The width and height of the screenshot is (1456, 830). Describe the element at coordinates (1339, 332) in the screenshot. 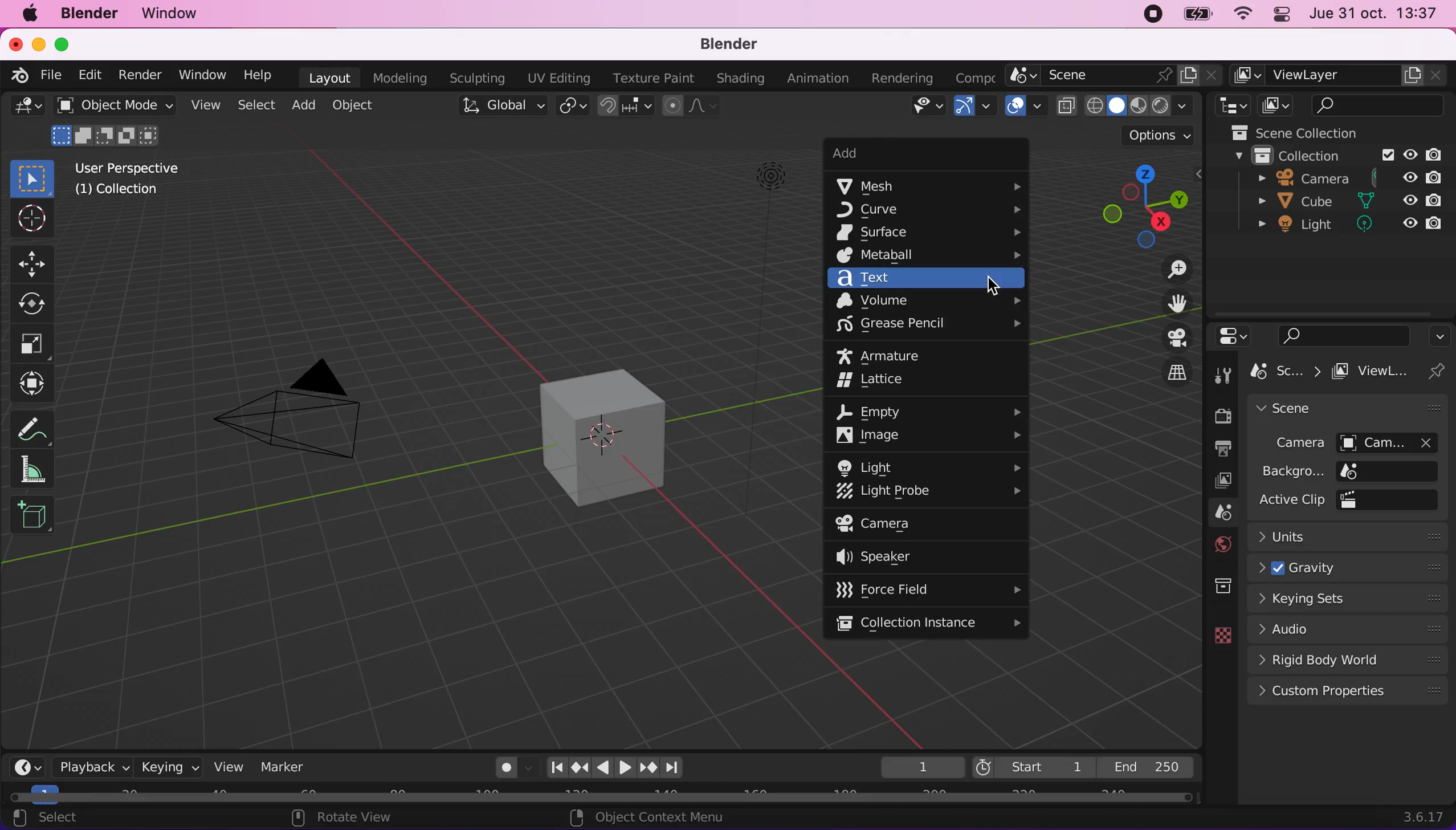

I see `search` at that location.